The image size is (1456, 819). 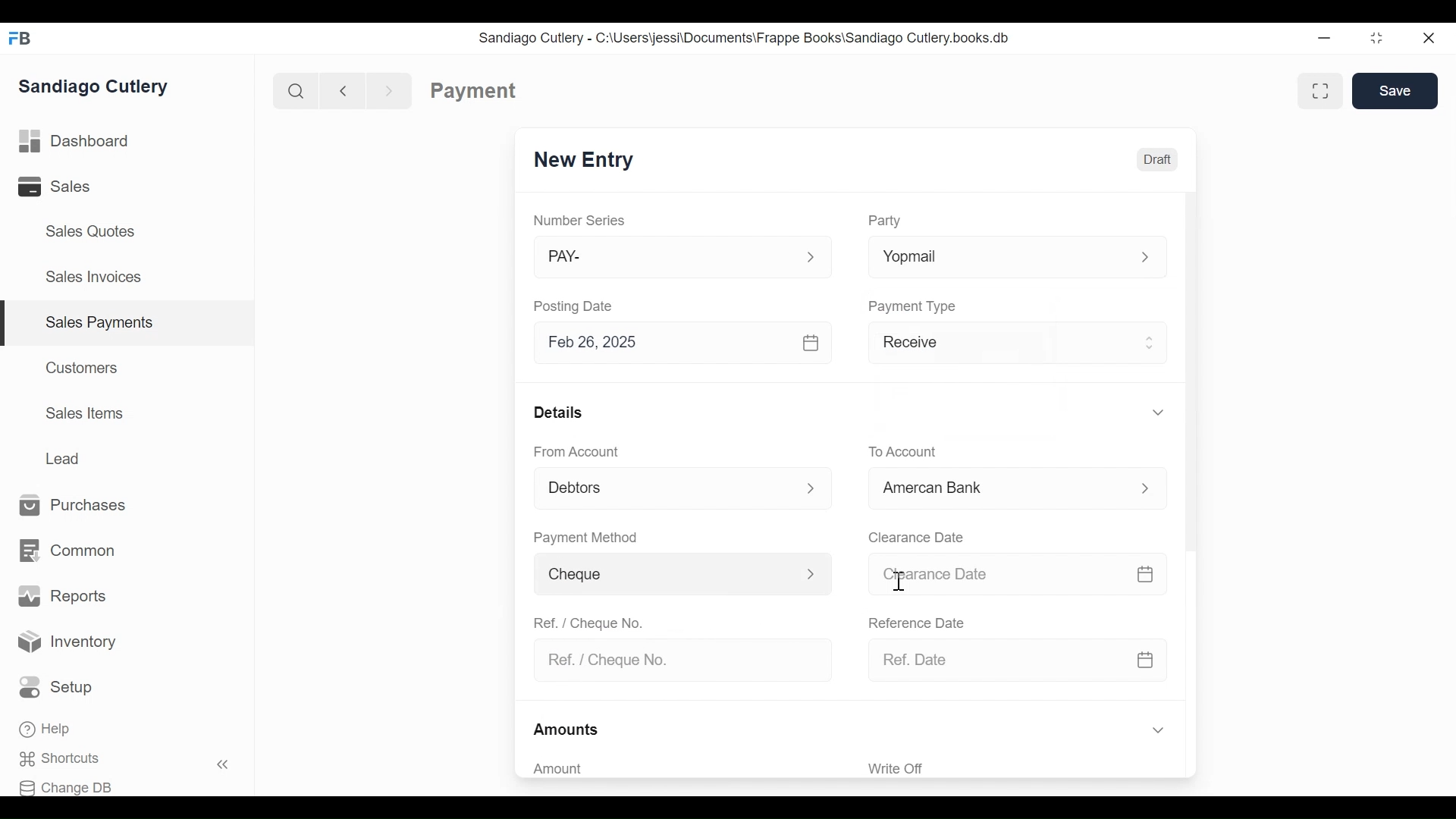 I want to click on Shortcuts, so click(x=69, y=759).